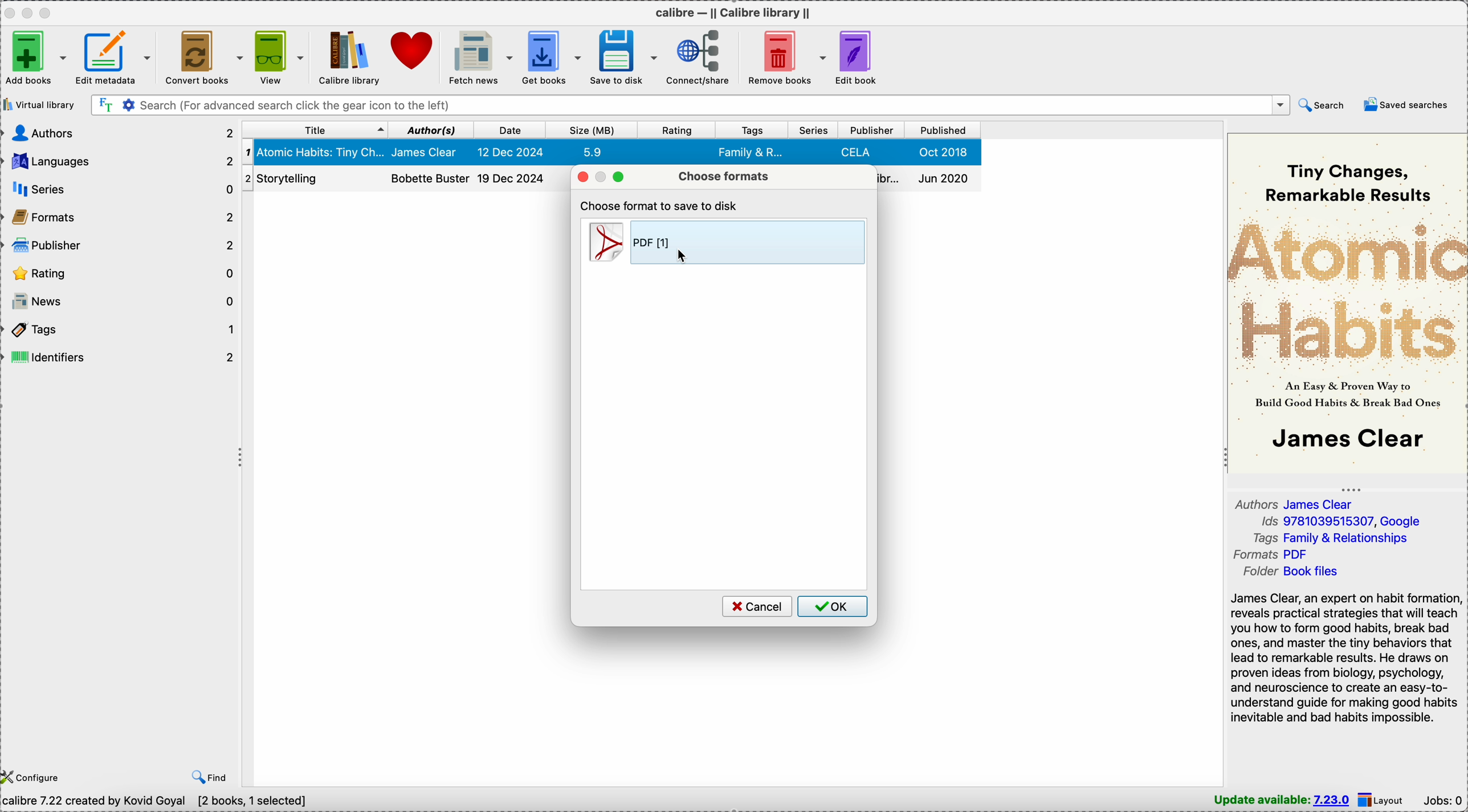 This screenshot has width=1468, height=812. Describe the element at coordinates (36, 57) in the screenshot. I see `add books` at that location.